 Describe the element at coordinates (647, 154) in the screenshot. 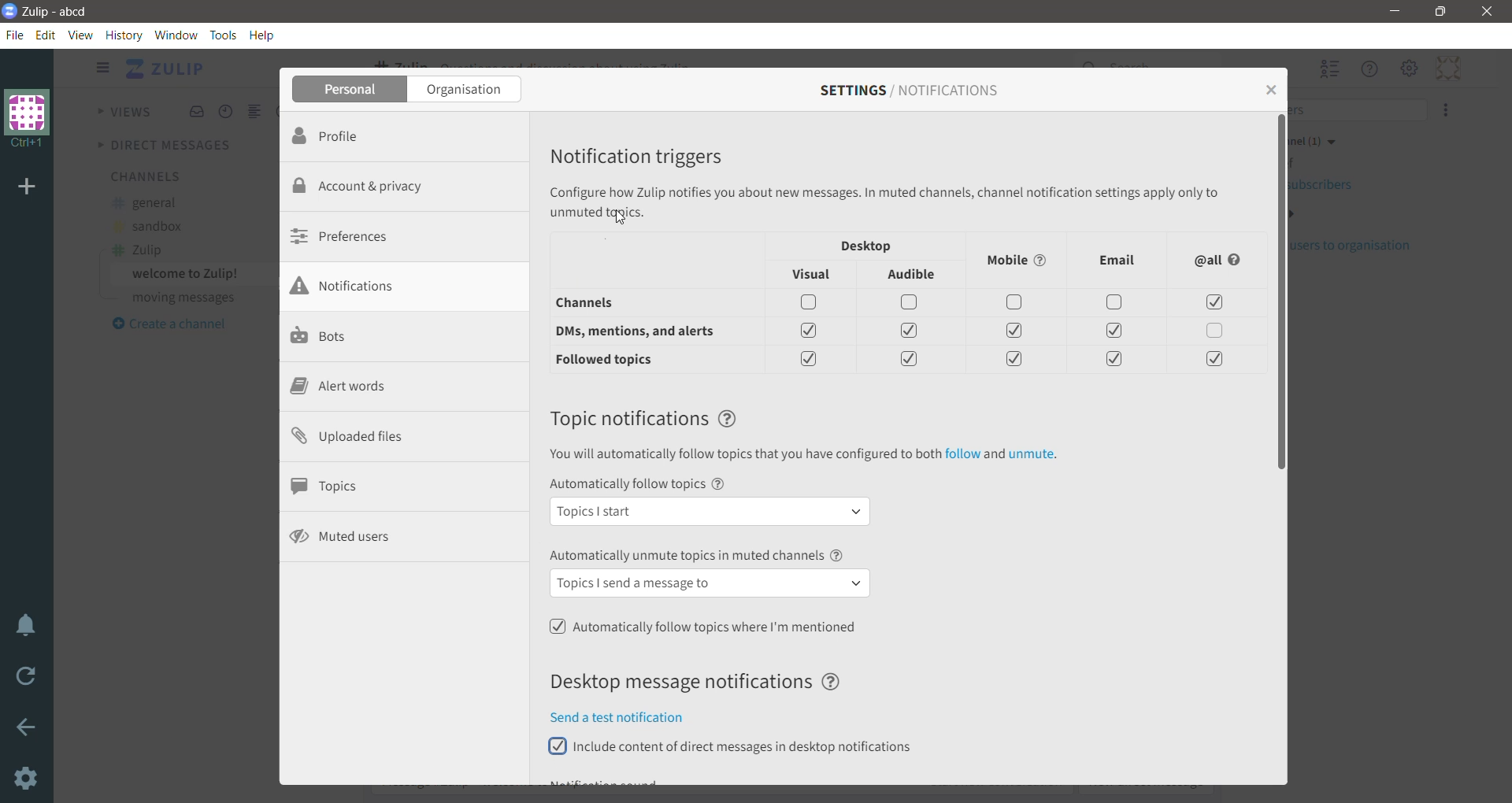

I see `Notification triggers` at that location.